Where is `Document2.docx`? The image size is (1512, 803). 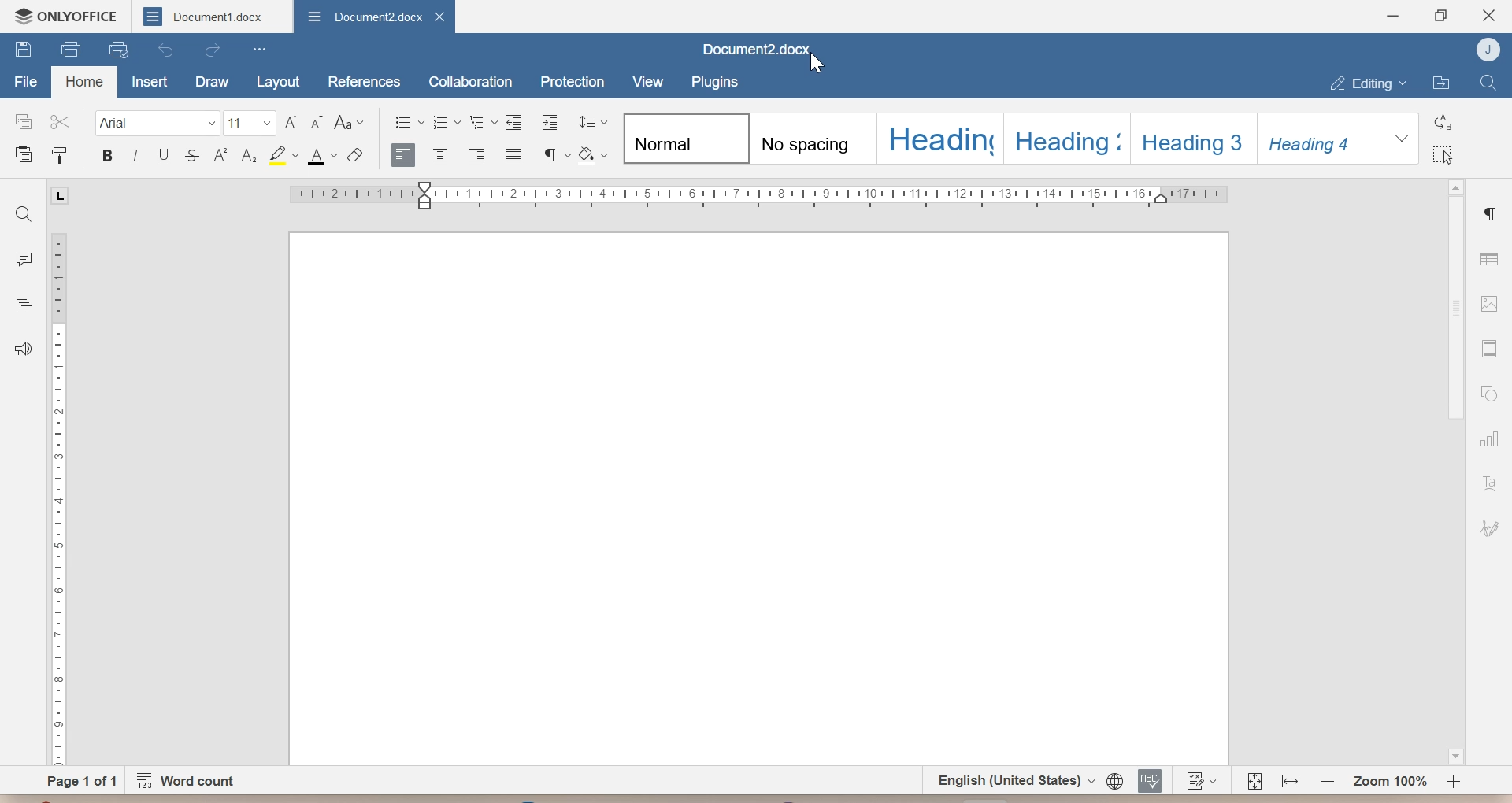 Document2.docx is located at coordinates (759, 50).